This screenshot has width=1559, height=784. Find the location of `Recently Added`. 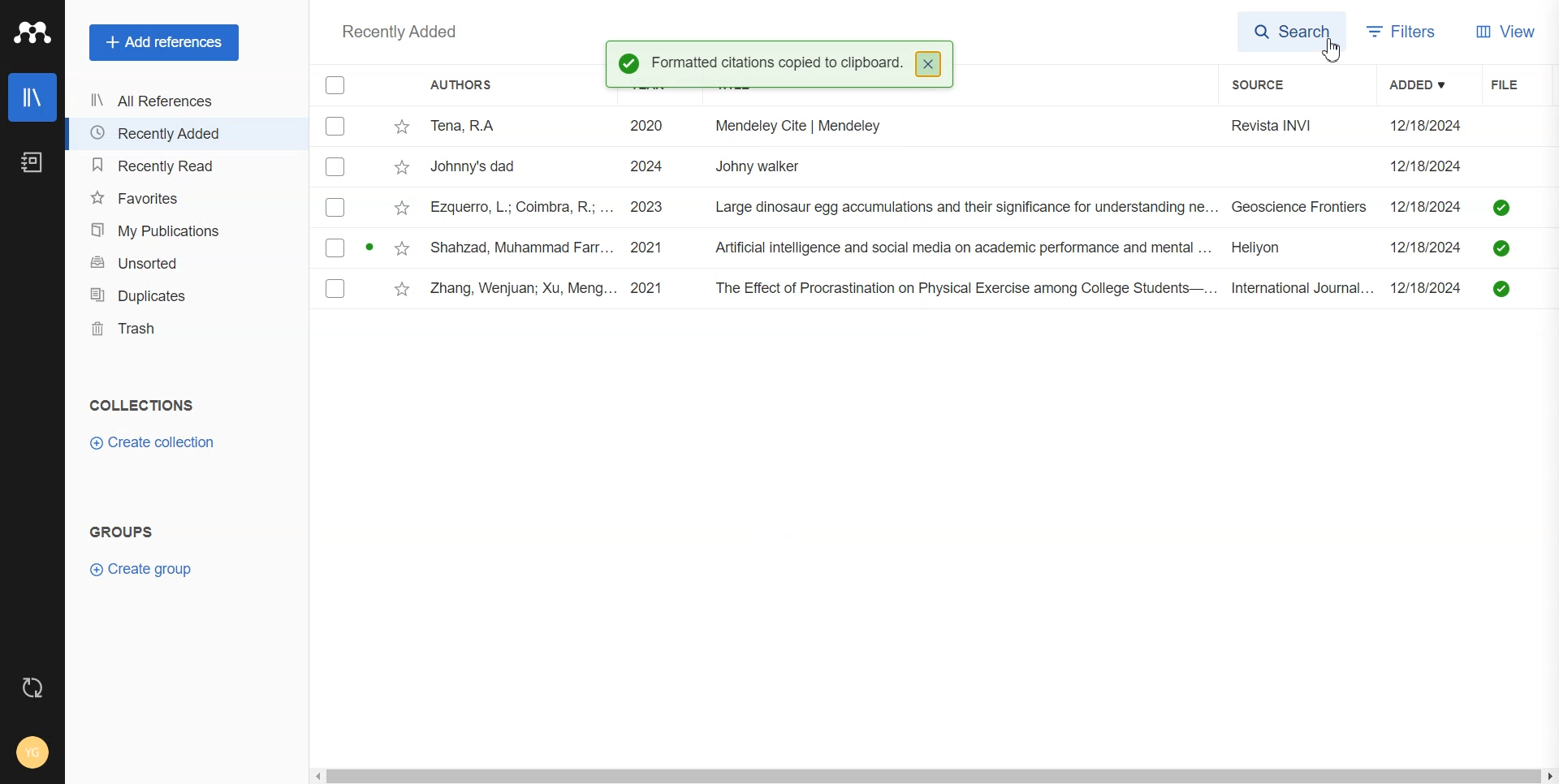

Recently Added is located at coordinates (183, 133).